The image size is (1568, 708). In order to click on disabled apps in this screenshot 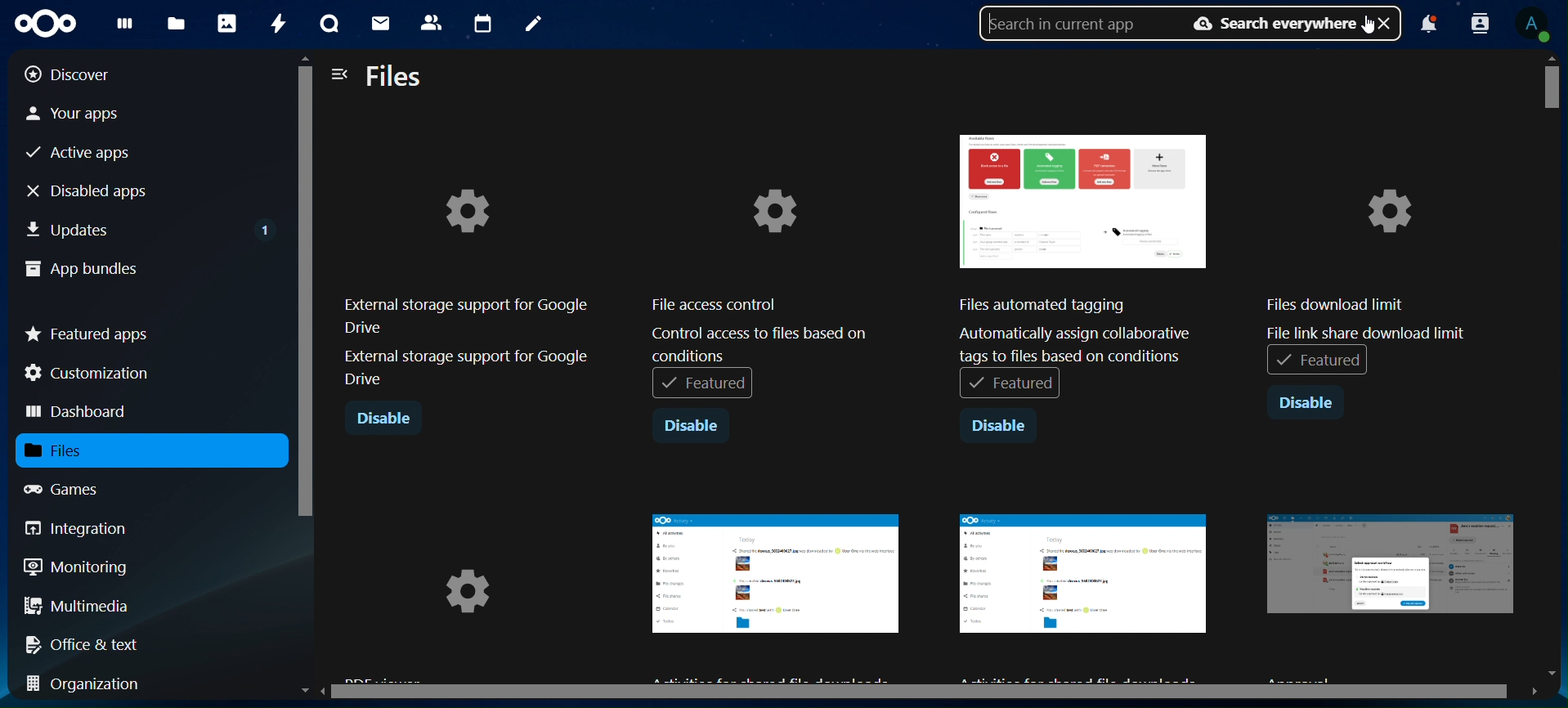, I will do `click(101, 190)`.